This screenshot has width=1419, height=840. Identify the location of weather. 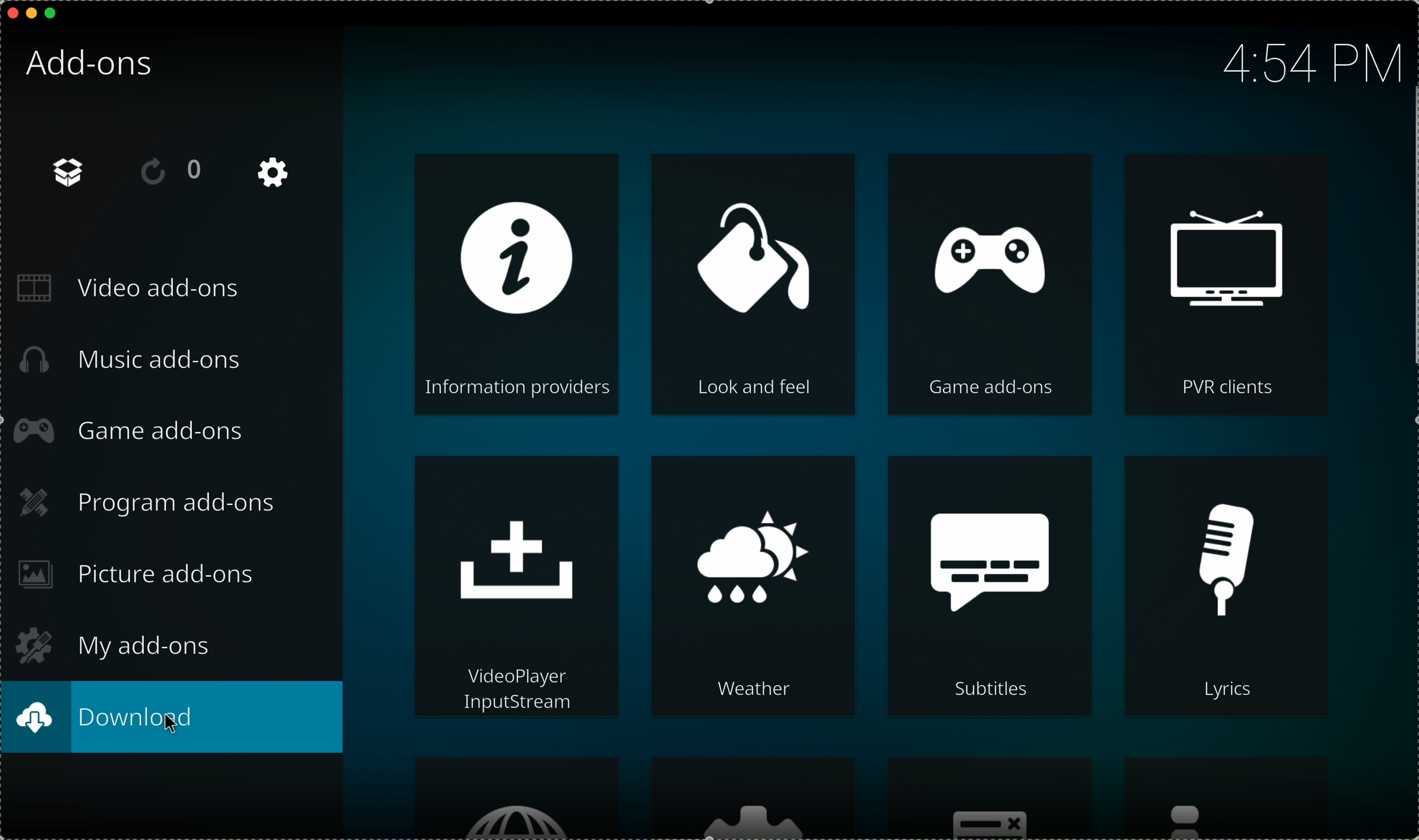
(753, 587).